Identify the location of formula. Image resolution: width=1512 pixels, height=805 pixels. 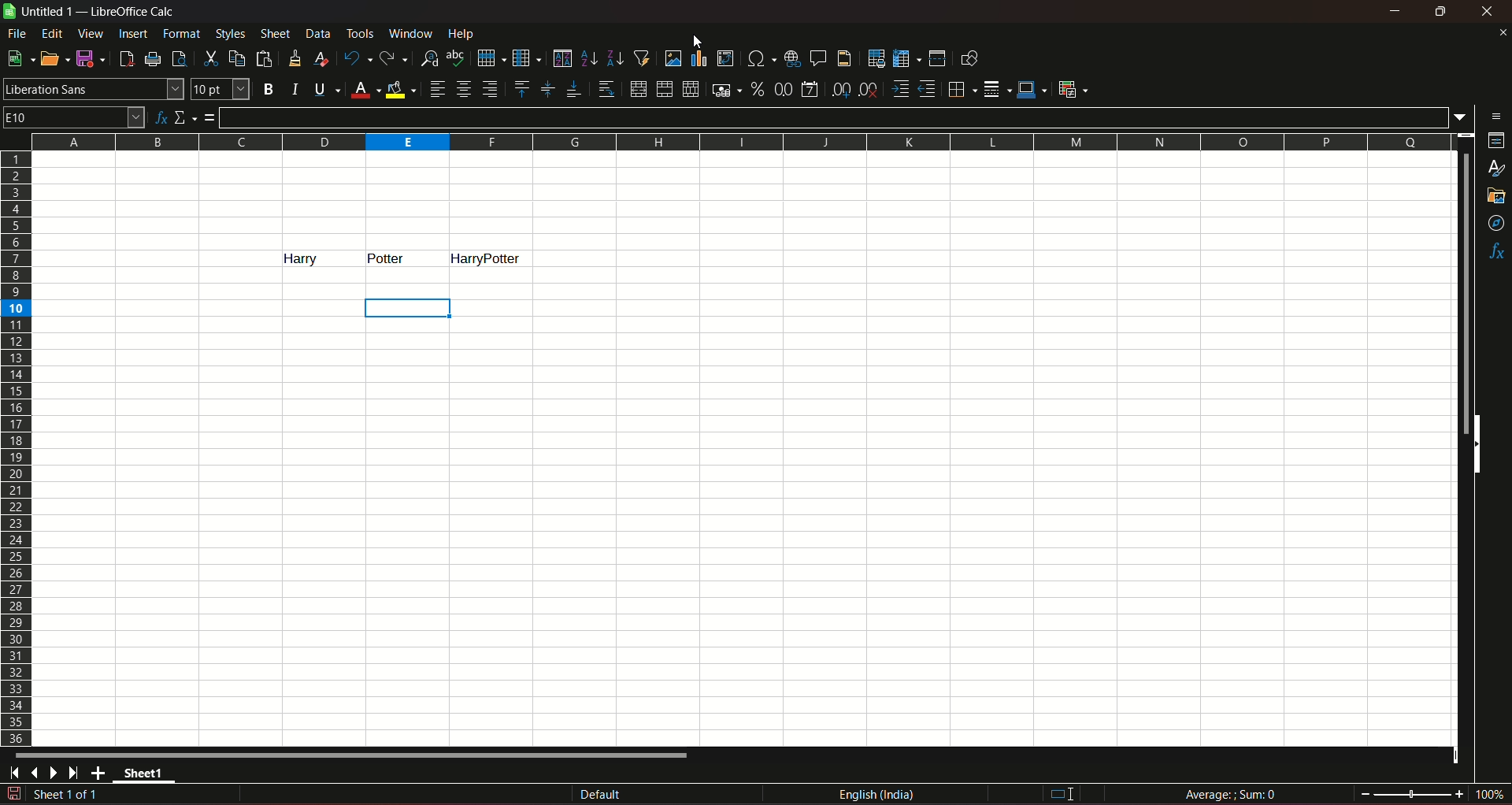
(210, 117).